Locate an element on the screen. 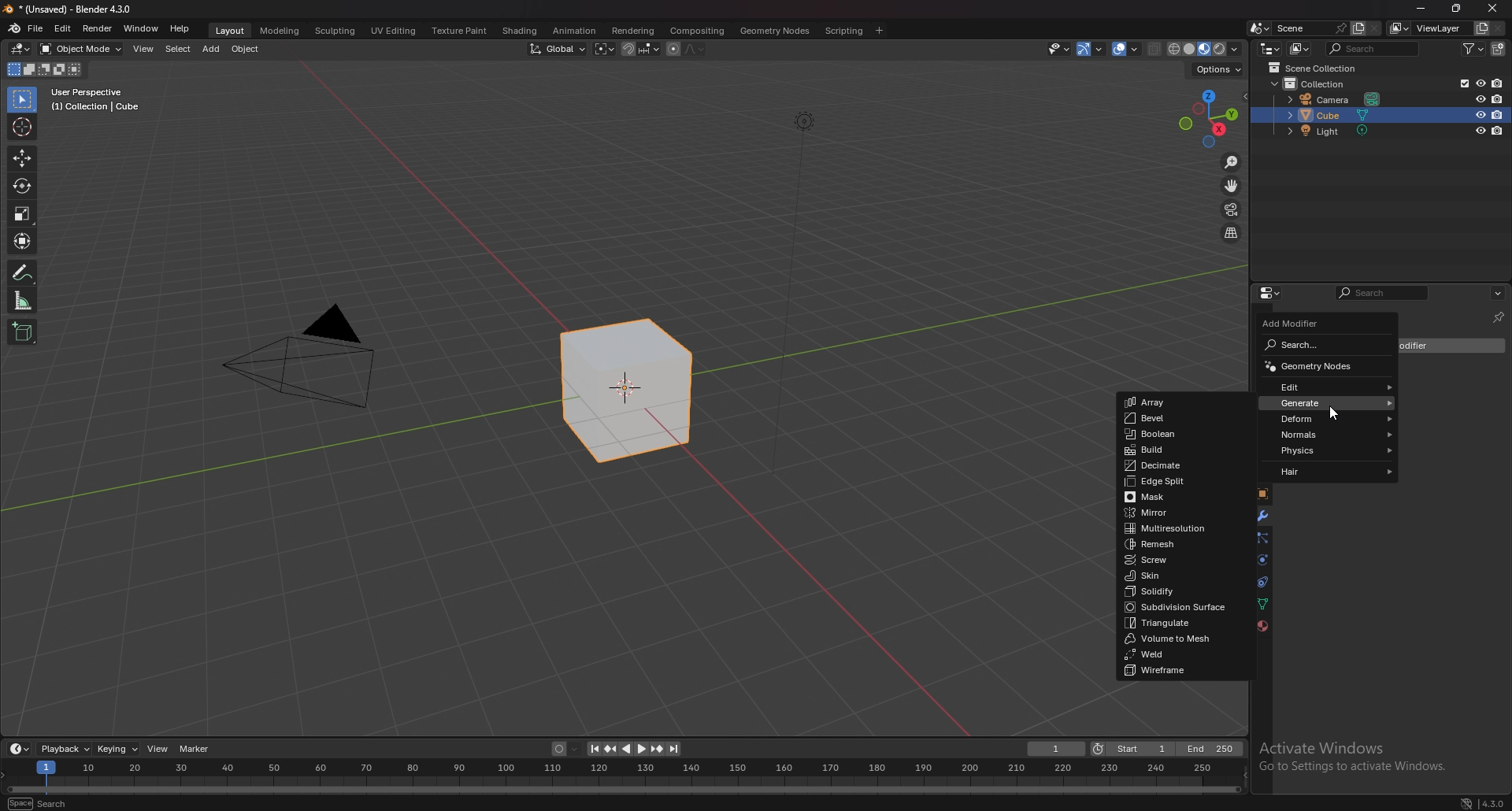  end is located at coordinates (1212, 748).